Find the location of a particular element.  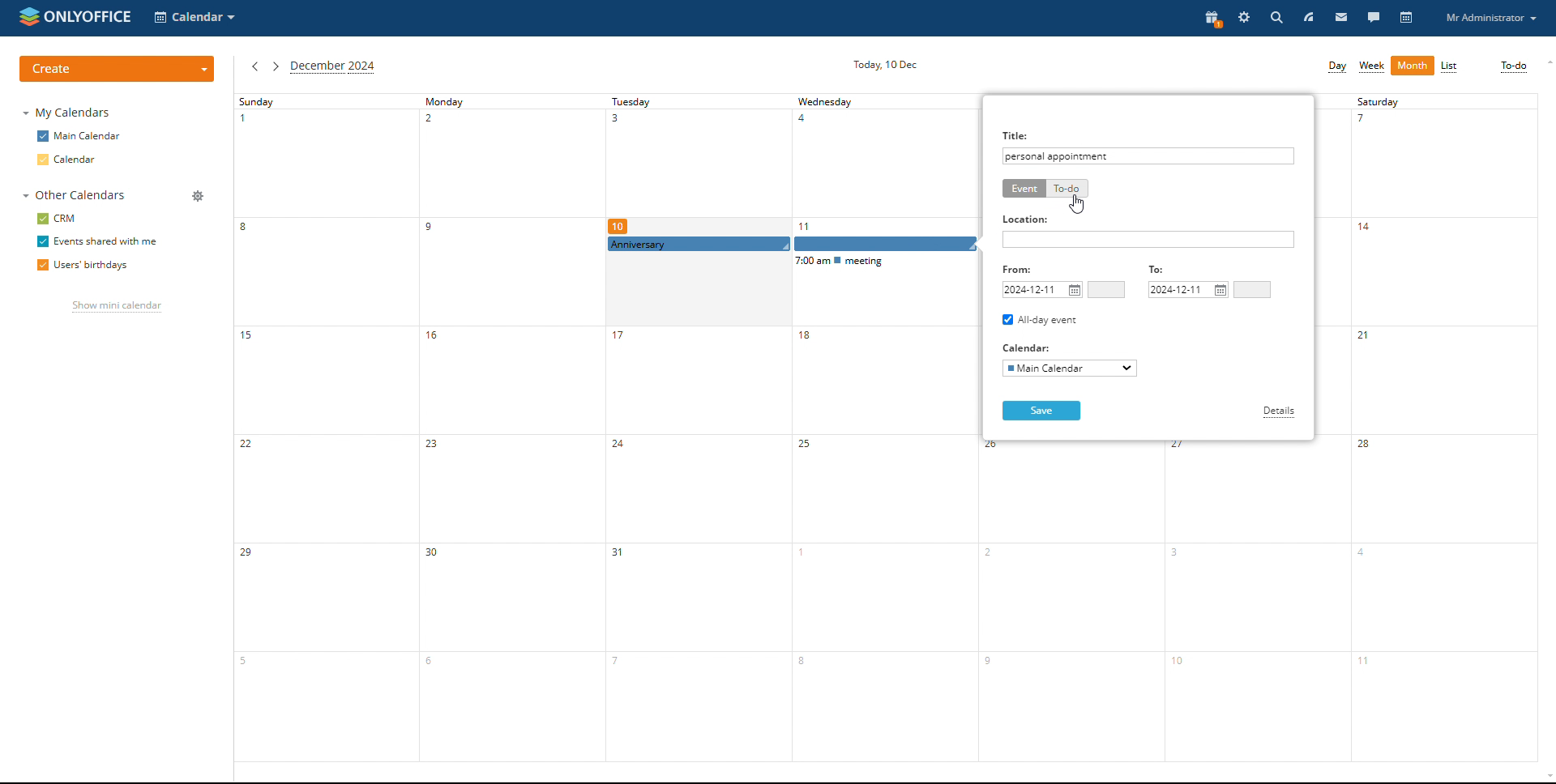

users' birthdays is located at coordinates (83, 266).